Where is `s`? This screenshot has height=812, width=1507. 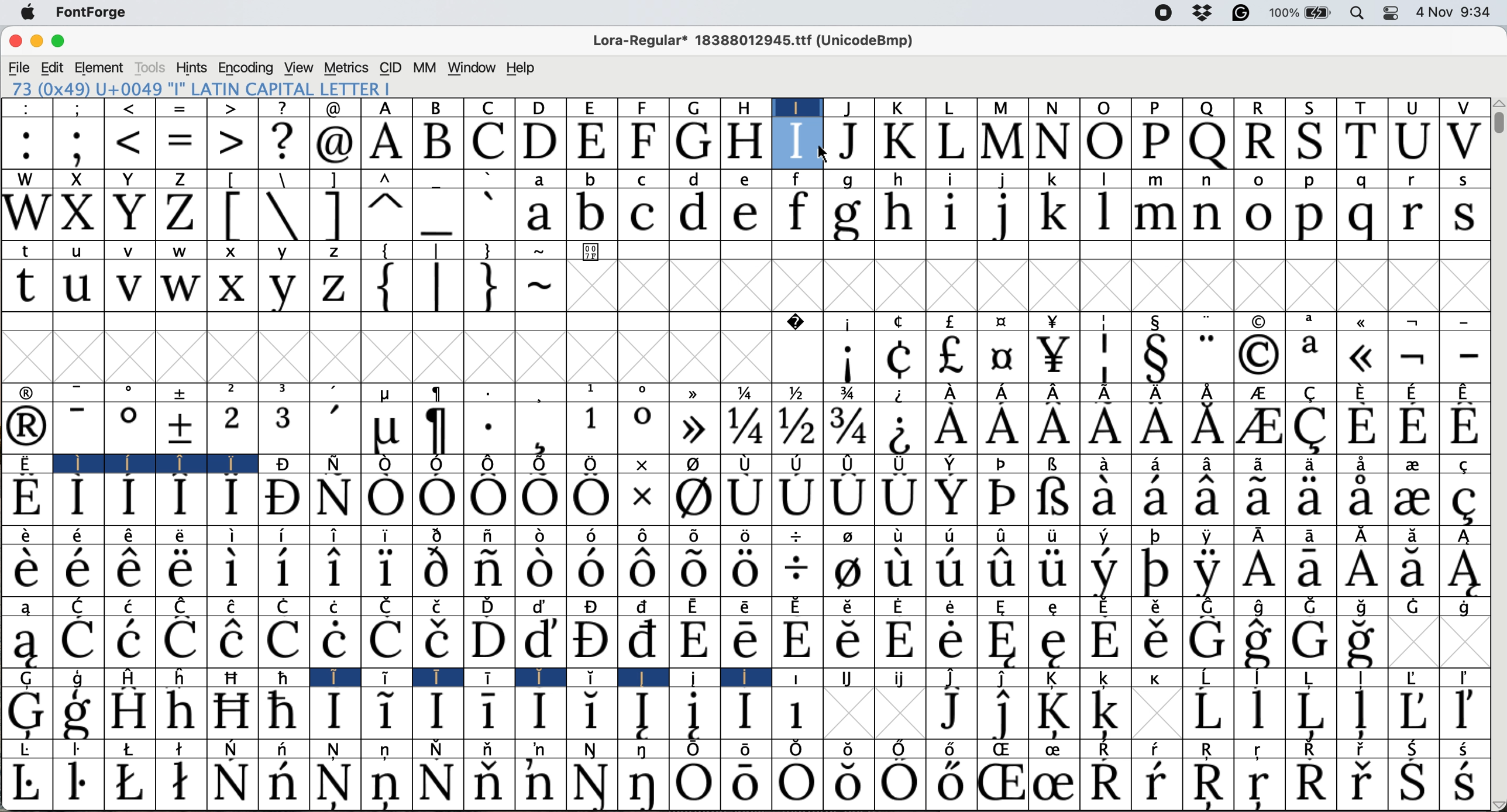 s is located at coordinates (1466, 181).